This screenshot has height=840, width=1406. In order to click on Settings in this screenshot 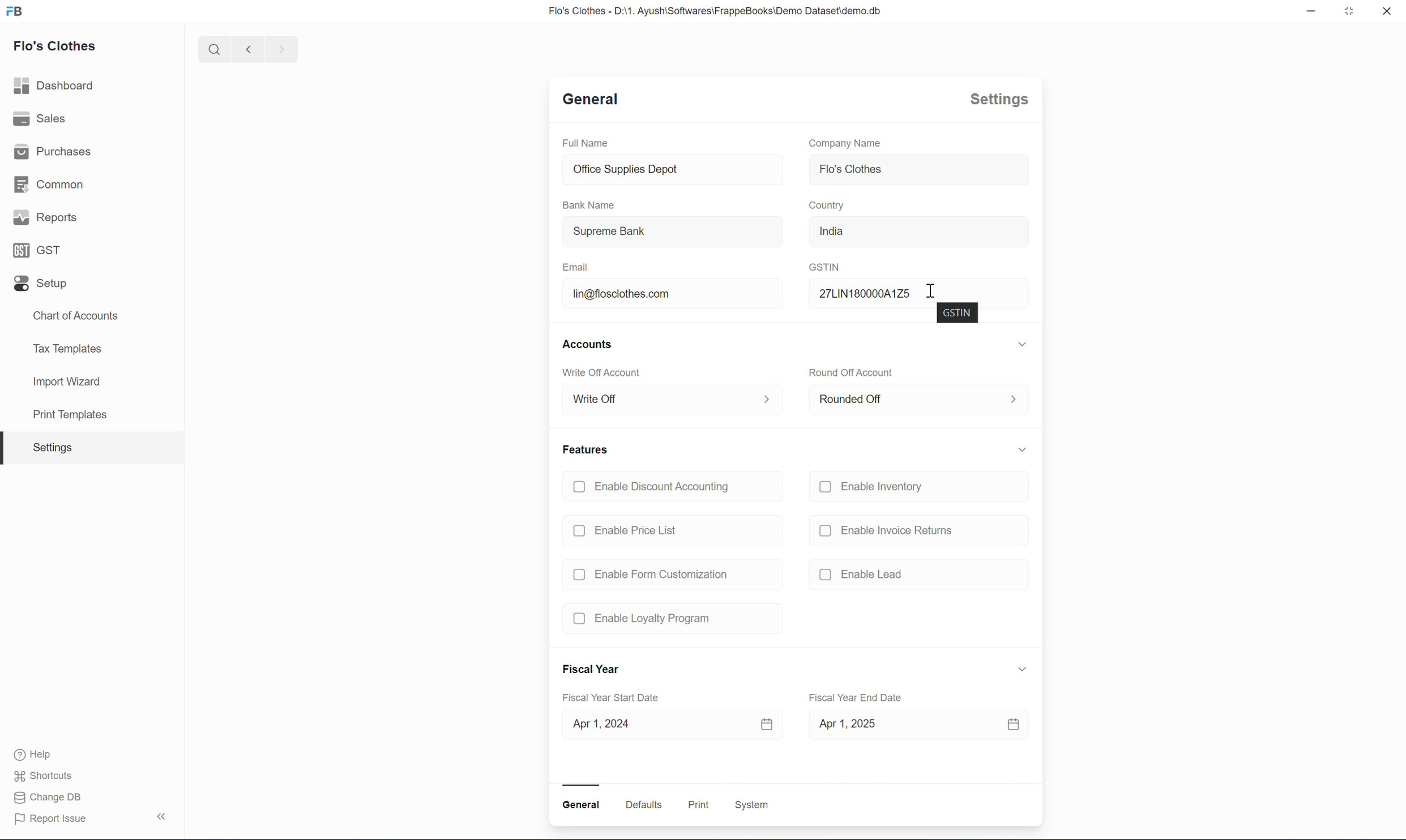, I will do `click(998, 100)`.